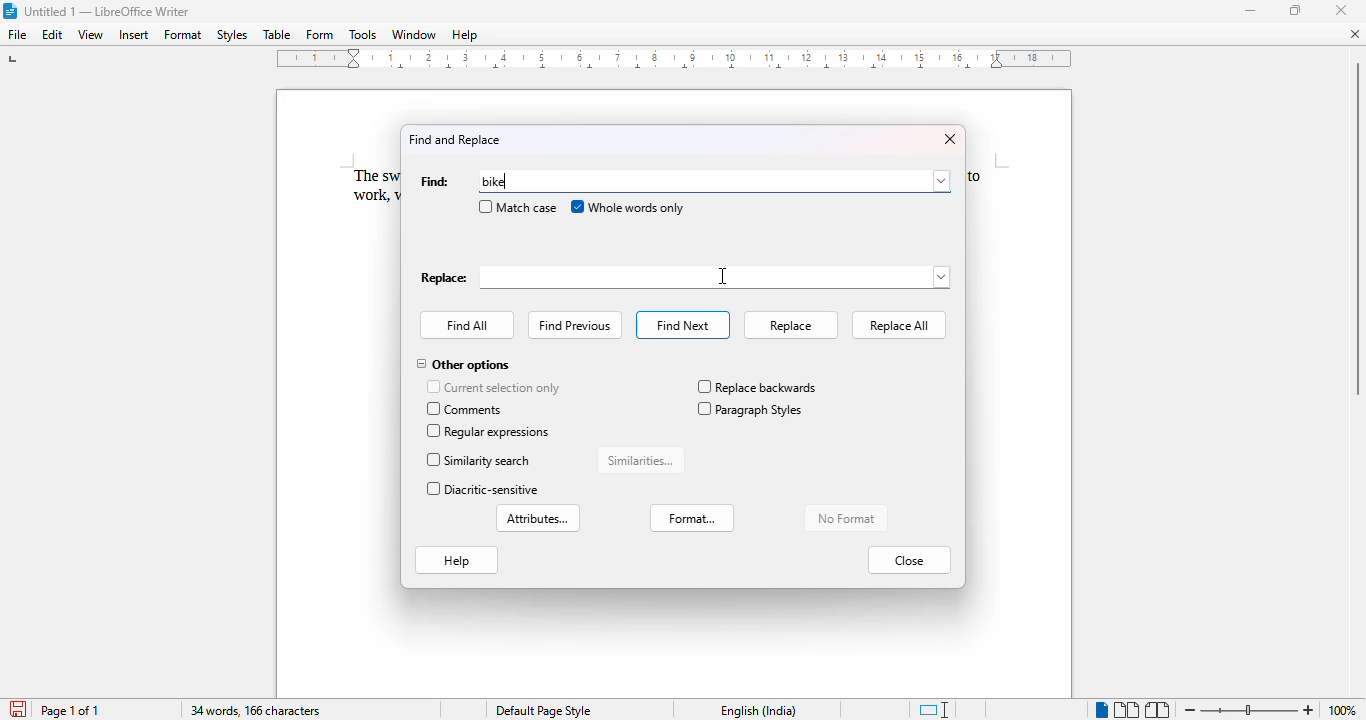  What do you see at coordinates (363, 186) in the screenshot?
I see `The sw work,` at bounding box center [363, 186].